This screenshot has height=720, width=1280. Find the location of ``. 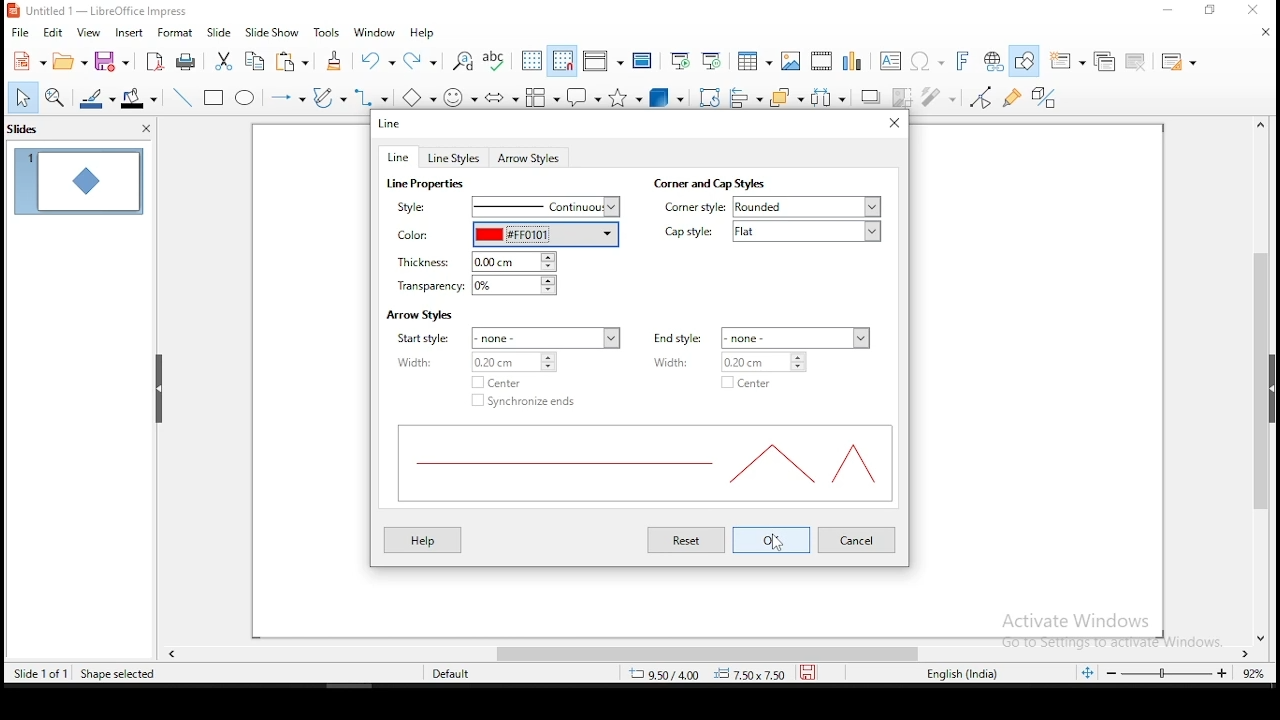

 is located at coordinates (928, 62).